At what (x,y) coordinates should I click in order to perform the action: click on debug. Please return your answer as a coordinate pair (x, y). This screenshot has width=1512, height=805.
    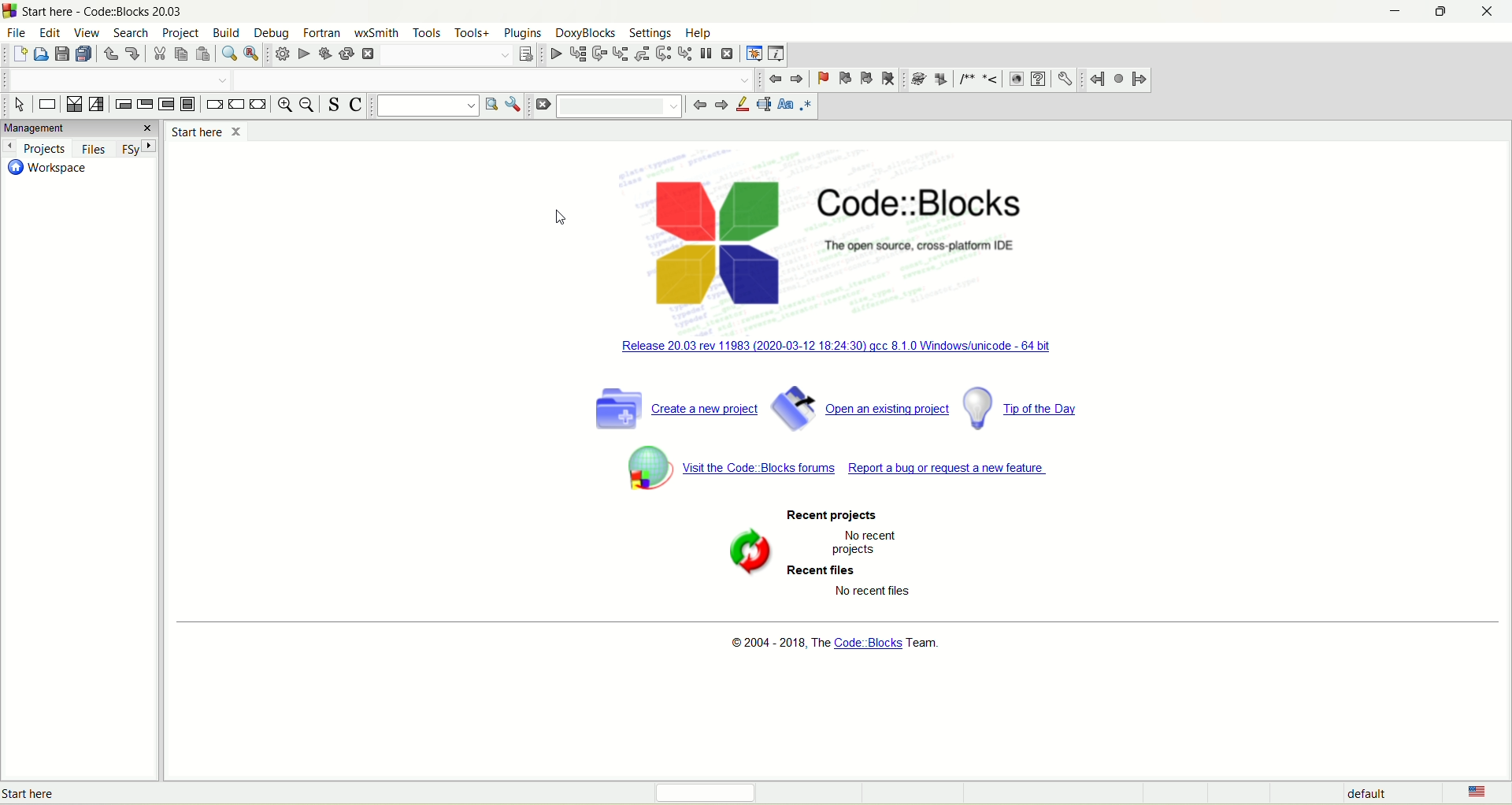
    Looking at the image, I should click on (554, 54).